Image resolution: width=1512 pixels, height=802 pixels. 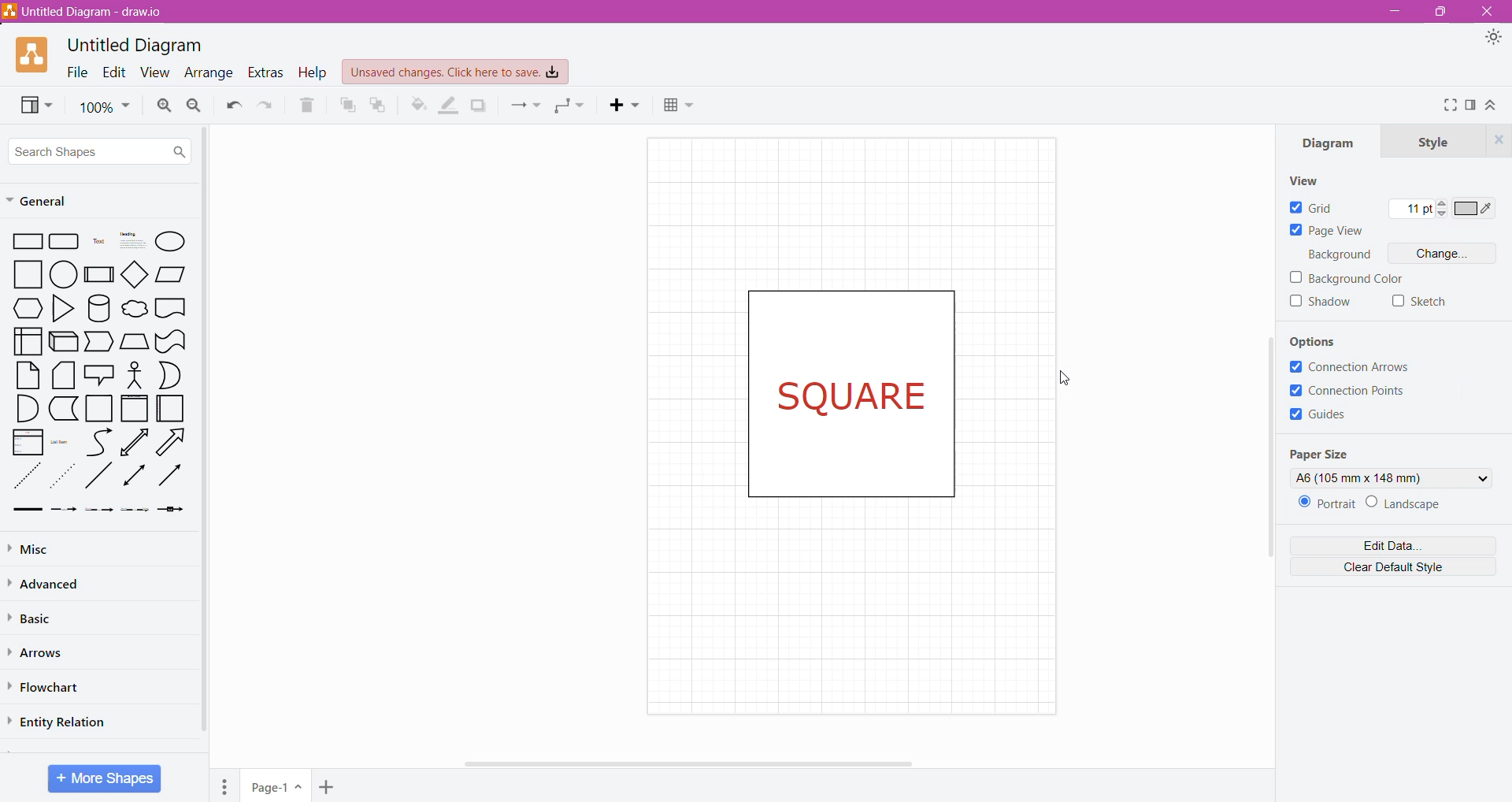 I want to click on Diagram, so click(x=1333, y=144).